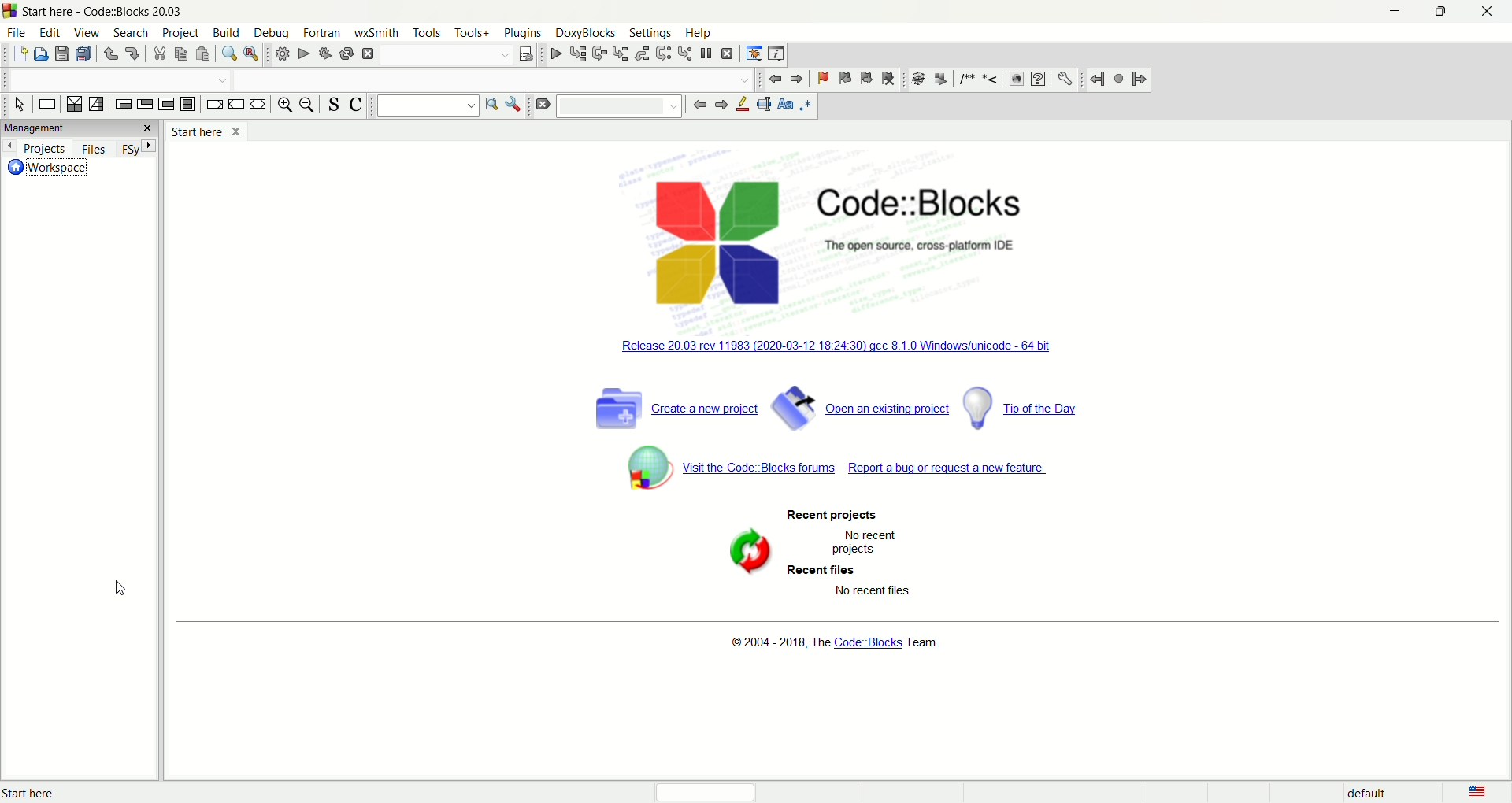 This screenshot has height=803, width=1512. I want to click on entry condition loop, so click(124, 105).